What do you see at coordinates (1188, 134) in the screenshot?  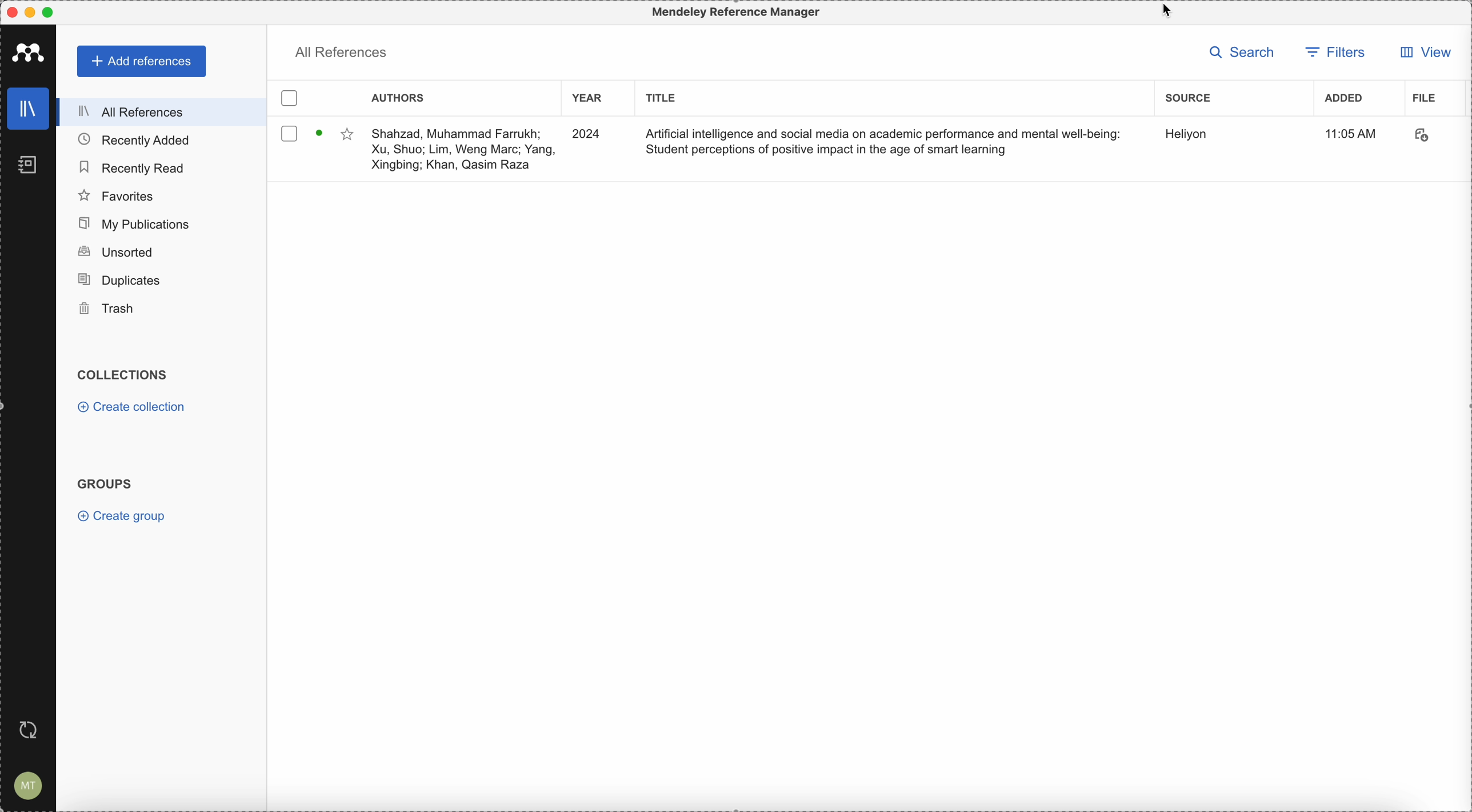 I see `source` at bounding box center [1188, 134].